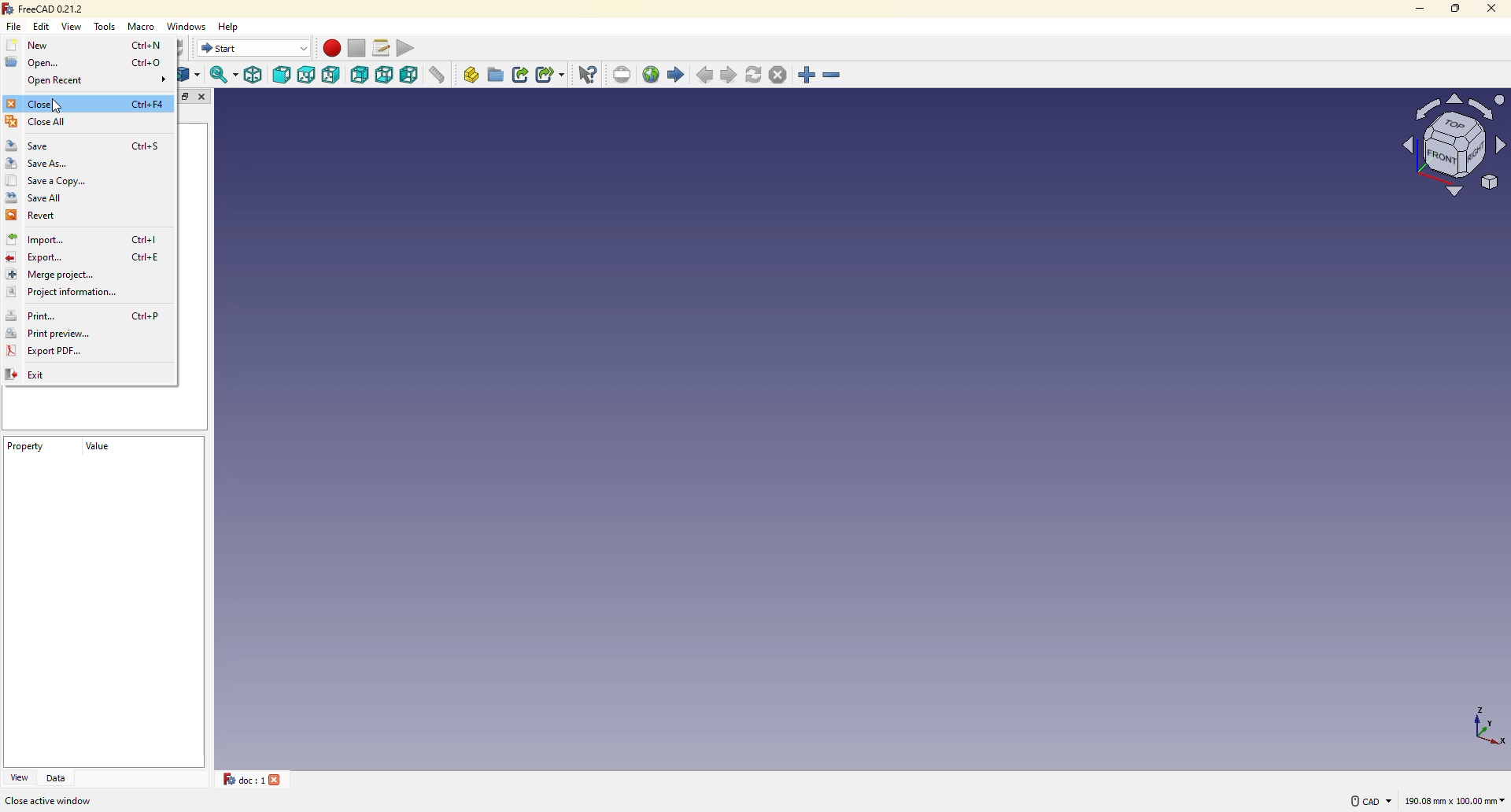 The width and height of the screenshot is (1511, 812). What do you see at coordinates (150, 44) in the screenshot?
I see `ctrl+n` at bounding box center [150, 44].